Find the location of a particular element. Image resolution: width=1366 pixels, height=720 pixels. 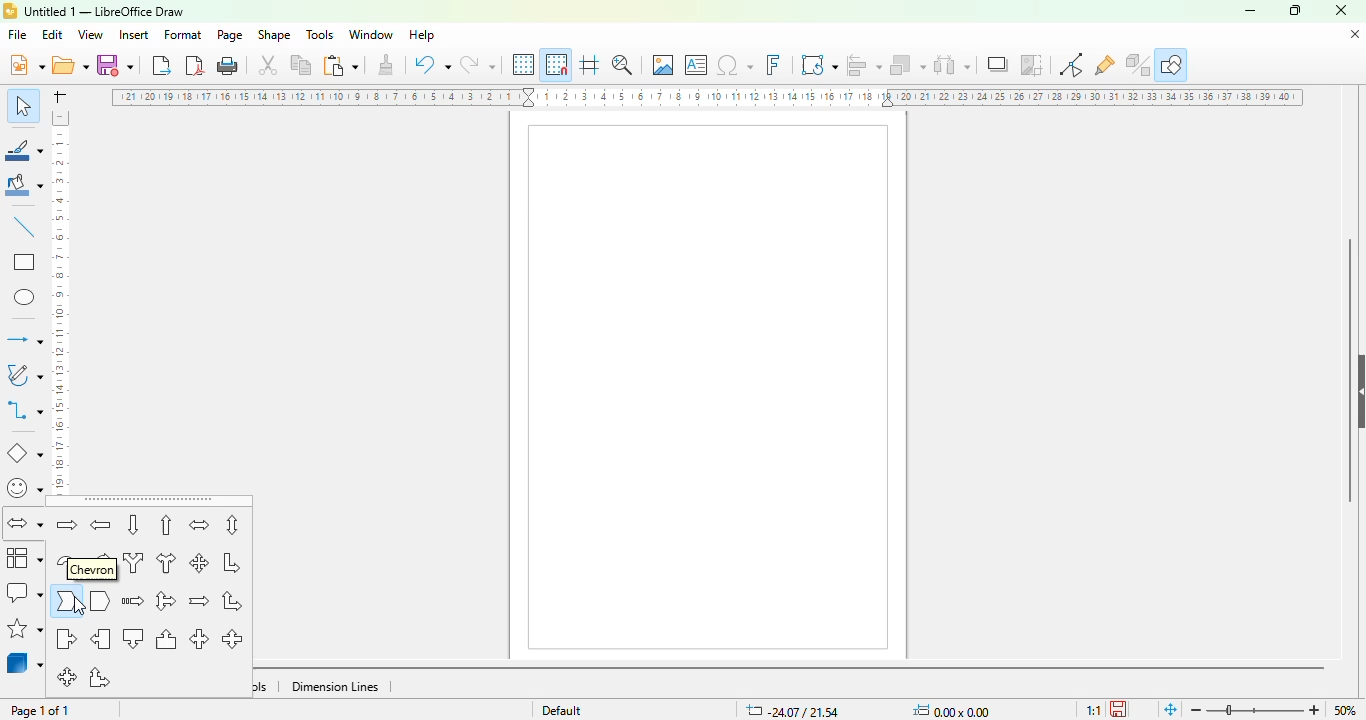

save is located at coordinates (115, 65).